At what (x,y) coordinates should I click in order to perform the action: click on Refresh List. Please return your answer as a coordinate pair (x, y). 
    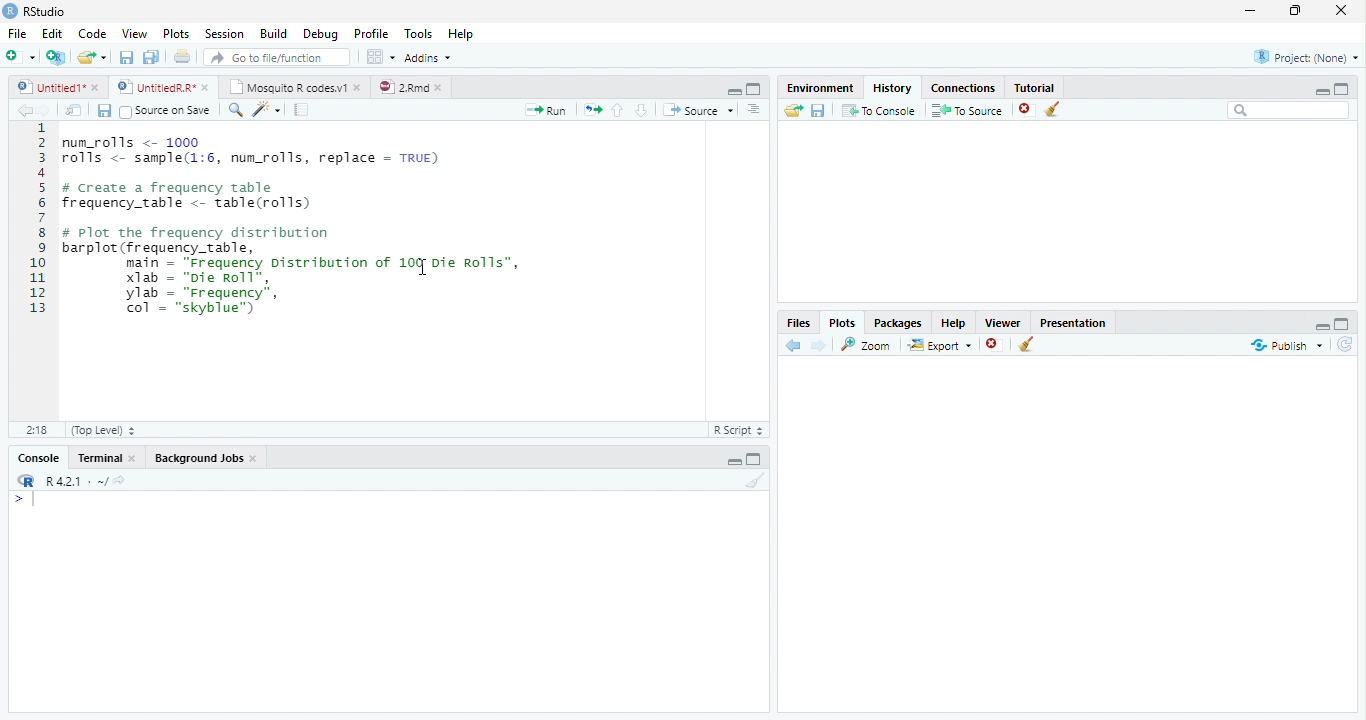
    Looking at the image, I should click on (1344, 345).